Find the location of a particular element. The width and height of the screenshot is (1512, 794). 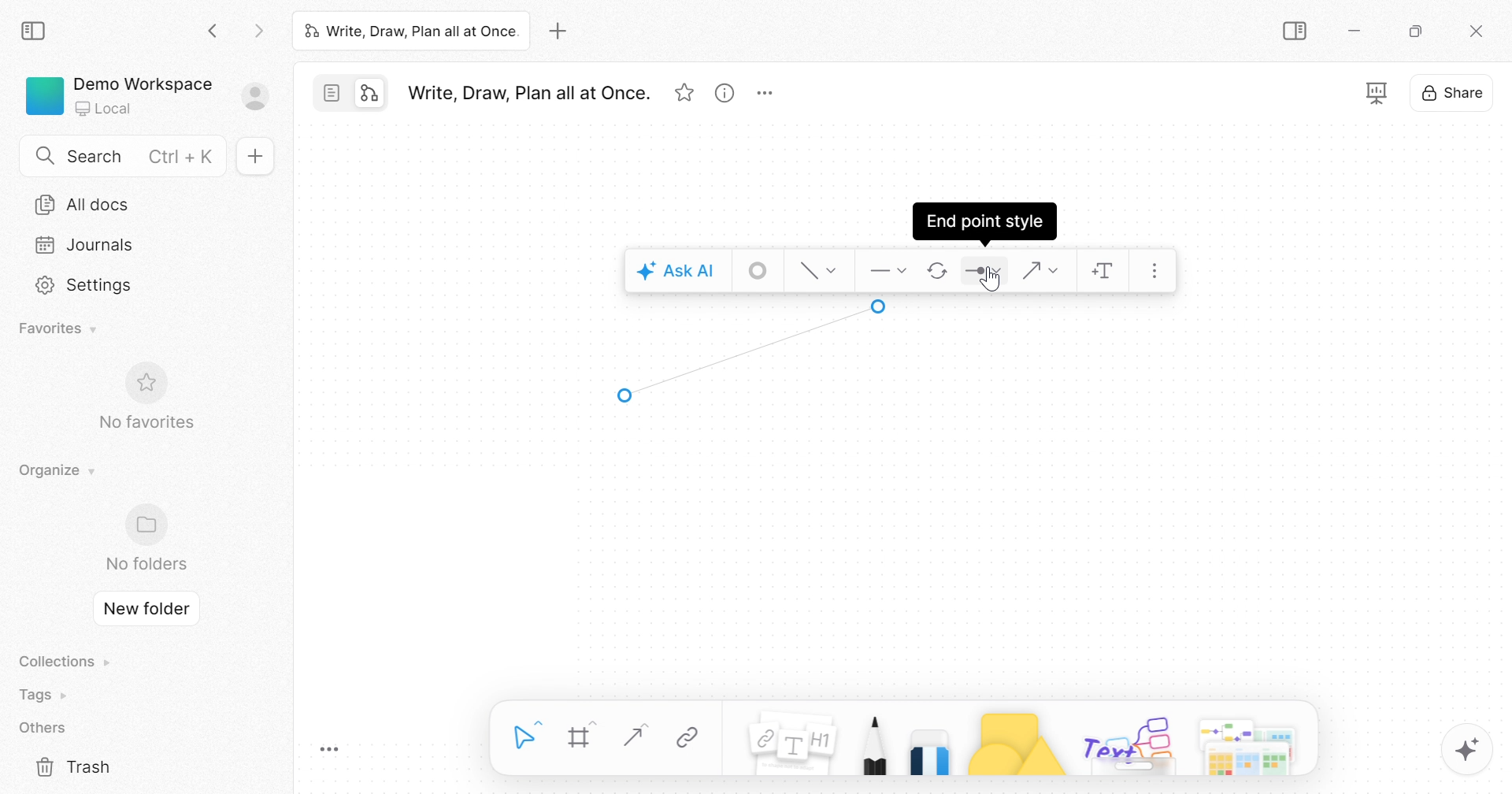

Sign in is located at coordinates (264, 98).